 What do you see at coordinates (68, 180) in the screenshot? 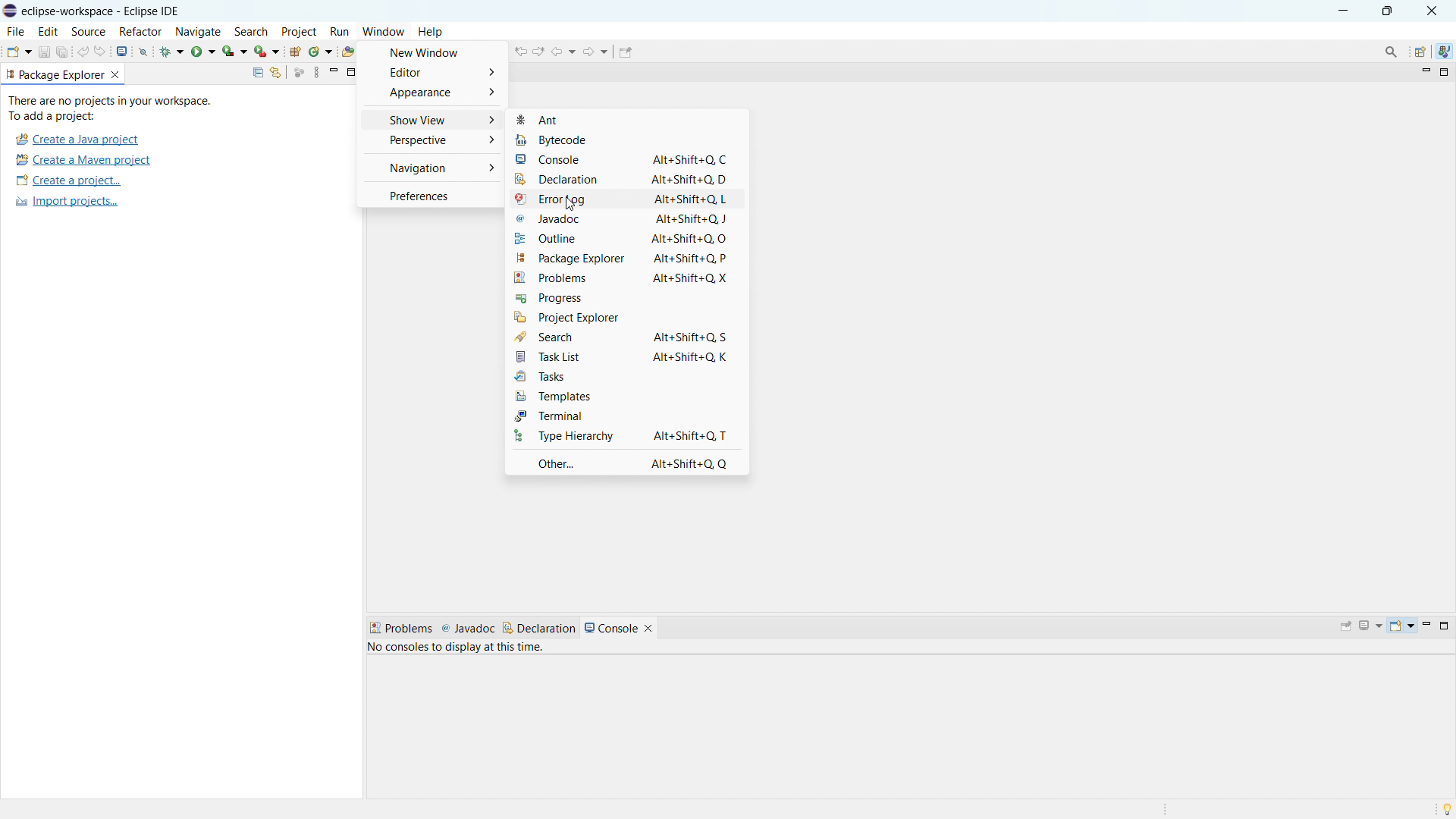
I see `create a project` at bounding box center [68, 180].